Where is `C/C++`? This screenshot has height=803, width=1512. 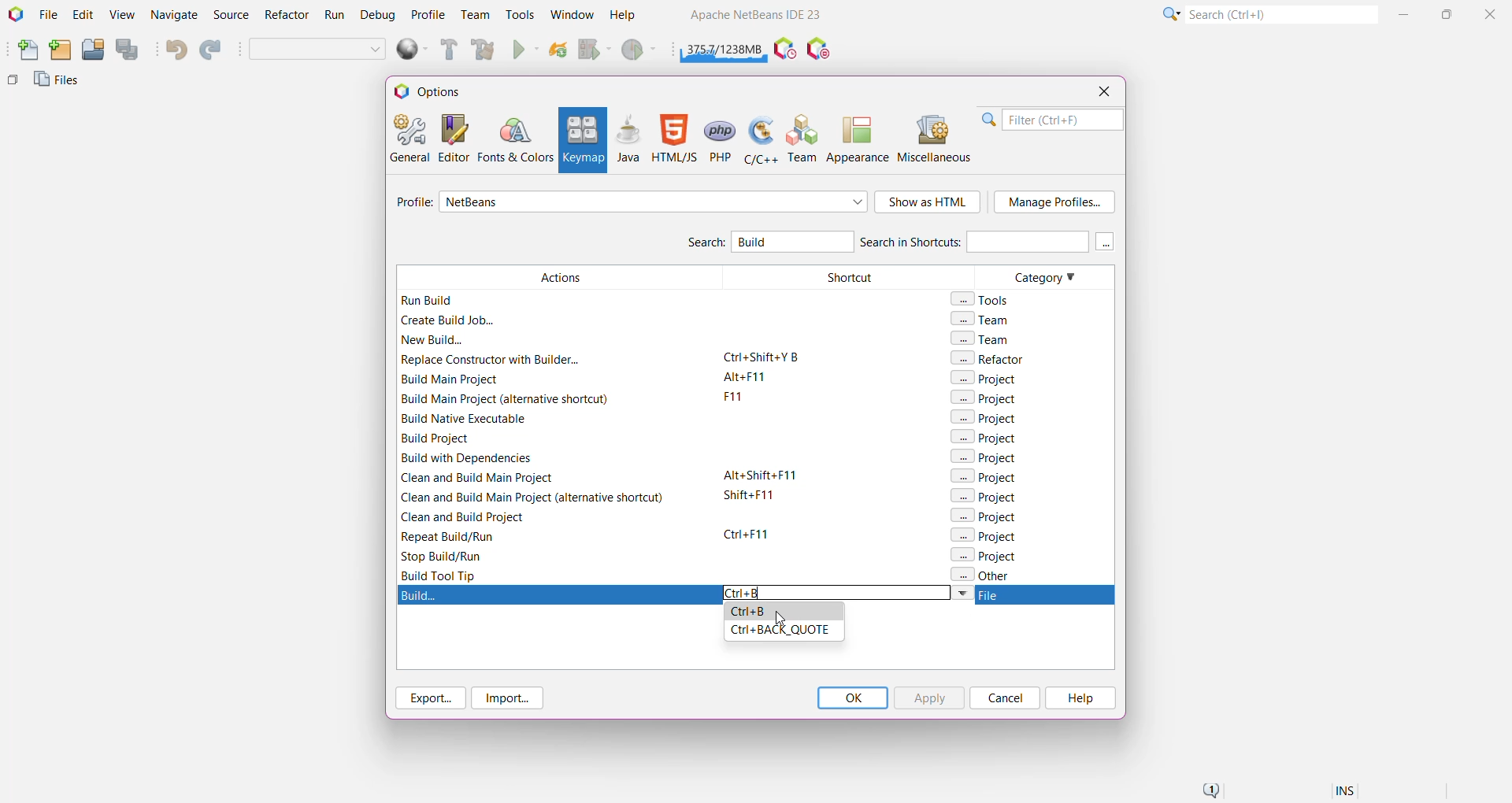
C/C++ is located at coordinates (759, 139).